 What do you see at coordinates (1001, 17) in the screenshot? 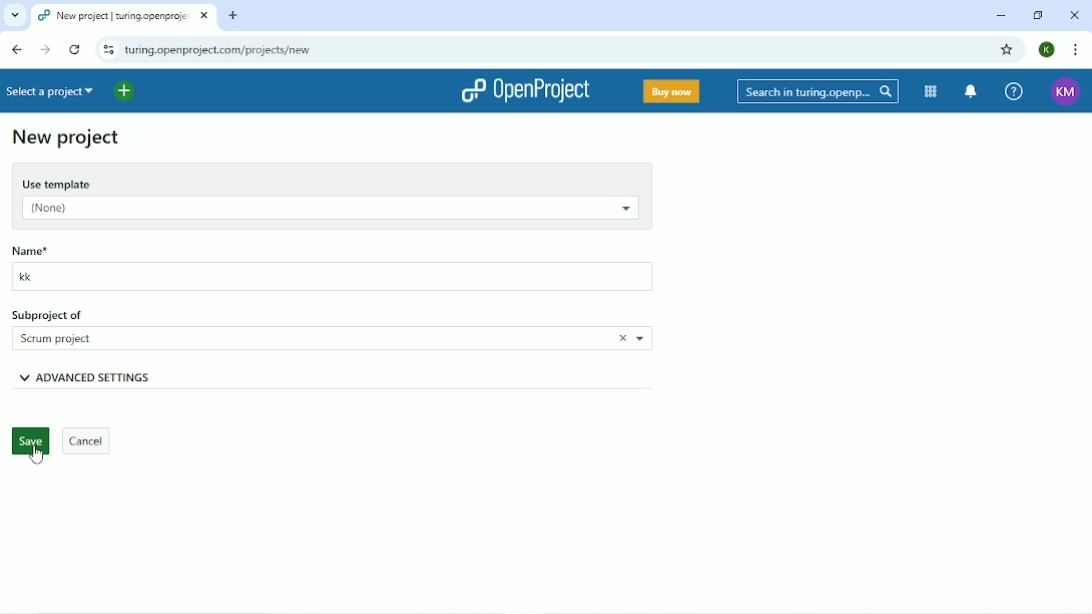
I see `Minimize` at bounding box center [1001, 17].